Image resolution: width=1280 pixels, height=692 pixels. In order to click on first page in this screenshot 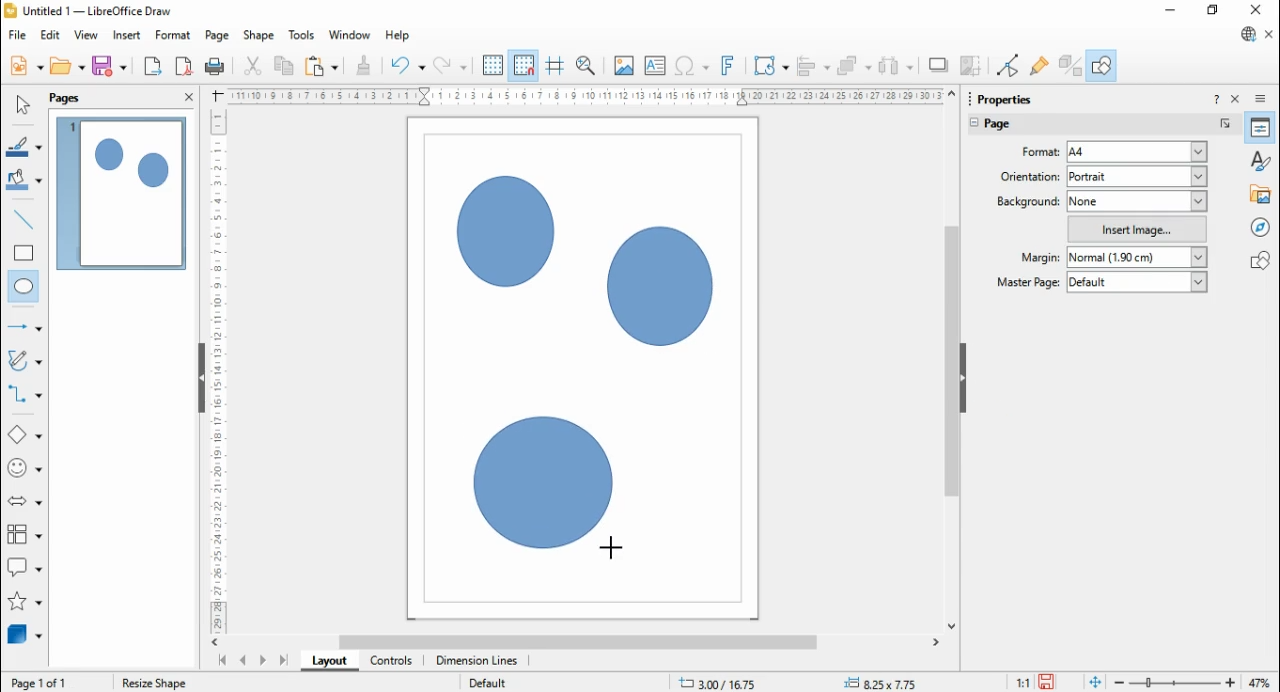, I will do `click(221, 661)`.